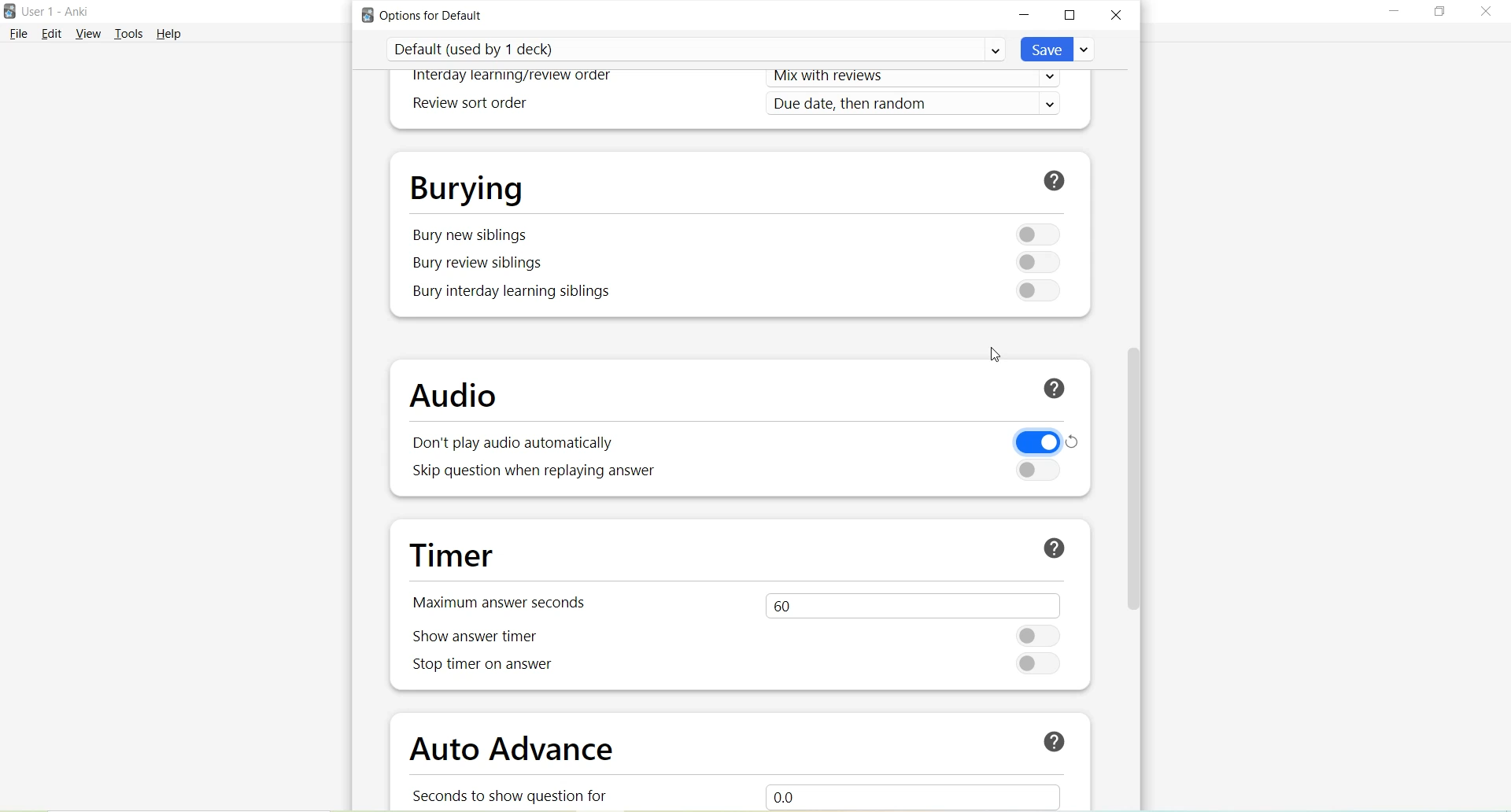  What do you see at coordinates (482, 668) in the screenshot?
I see `Stop timer on answer` at bounding box center [482, 668].